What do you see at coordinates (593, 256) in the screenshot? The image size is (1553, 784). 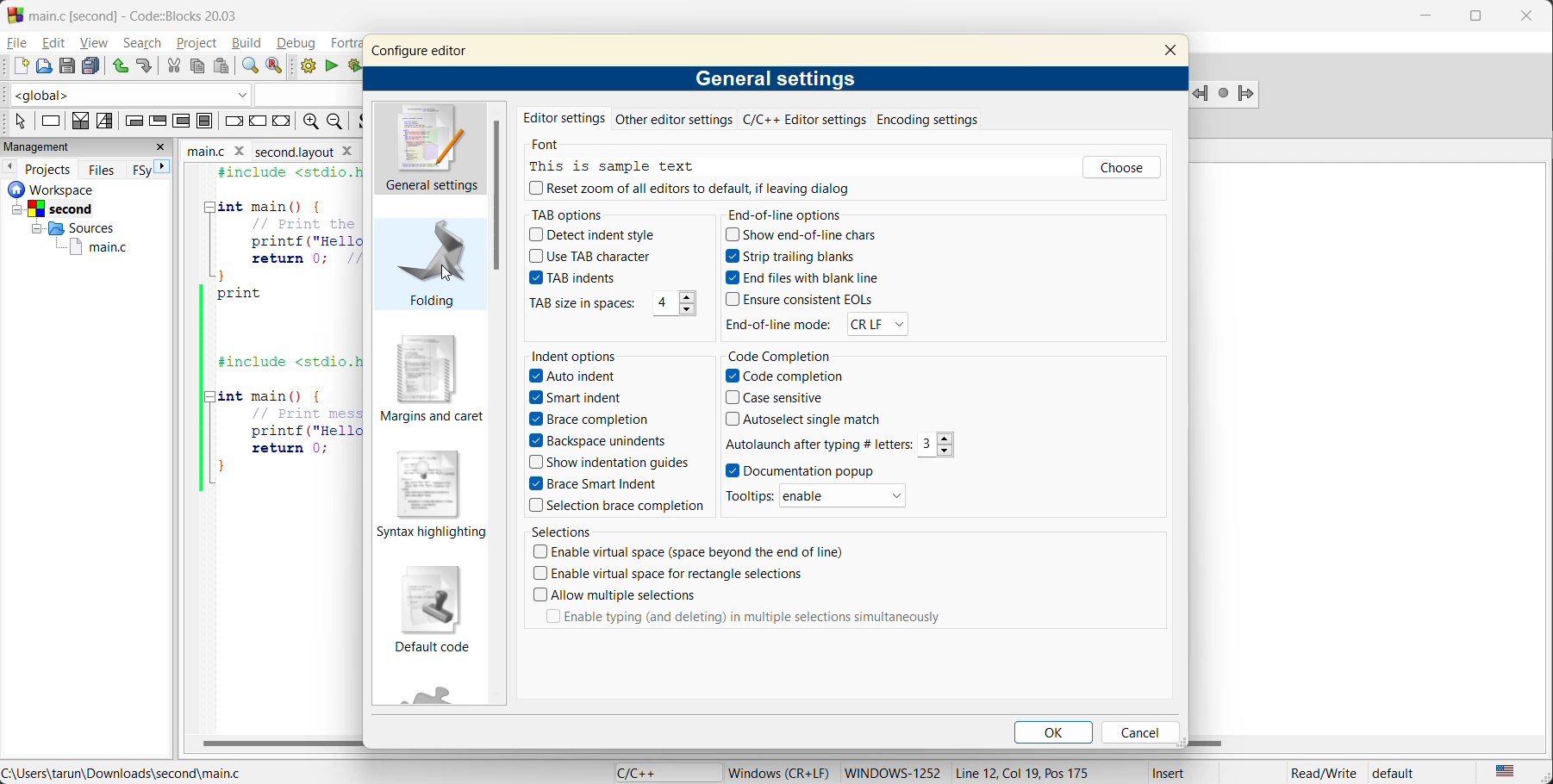 I see `use tab character` at bounding box center [593, 256].